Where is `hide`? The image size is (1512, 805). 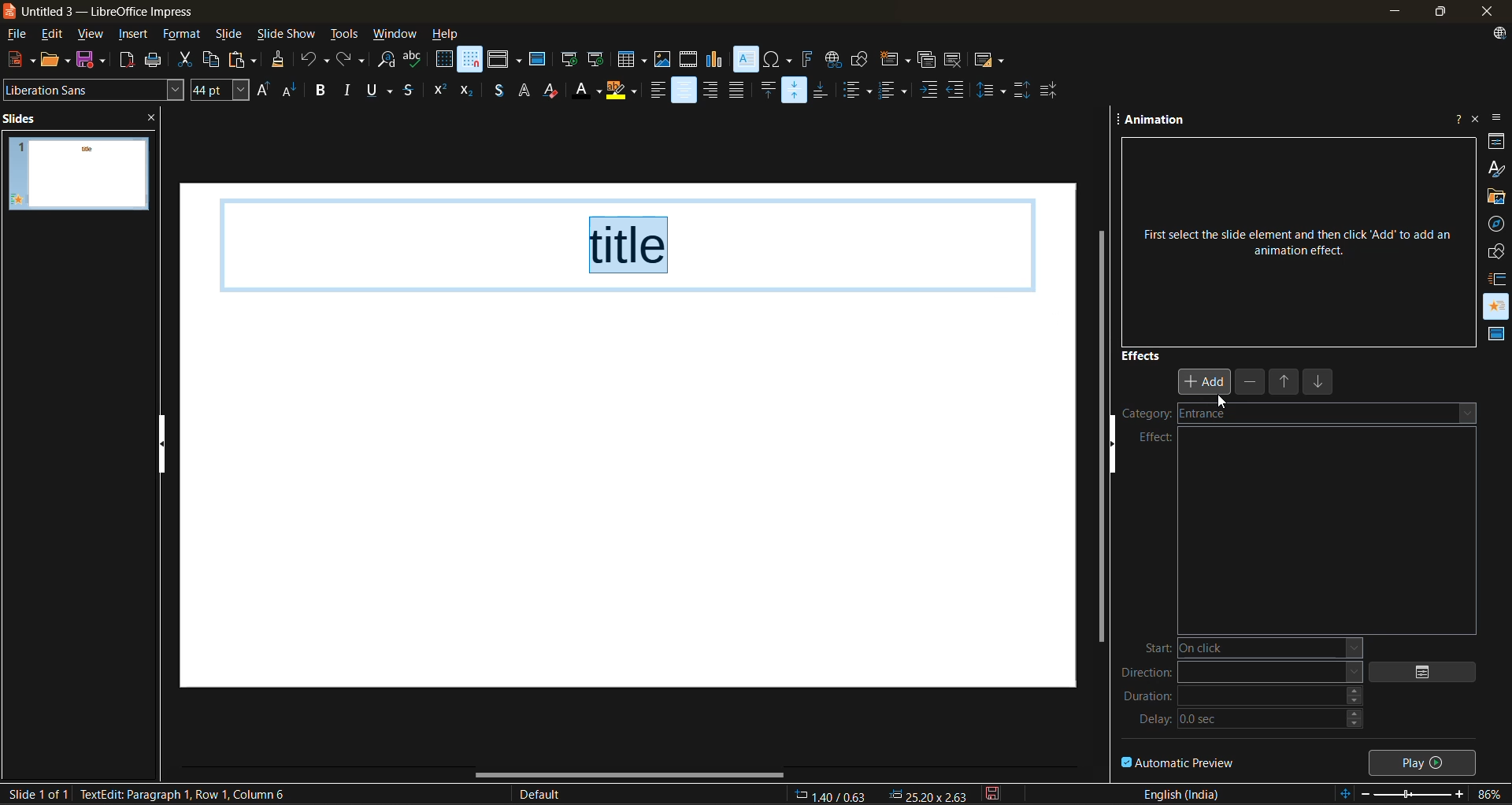
hide is located at coordinates (1119, 453).